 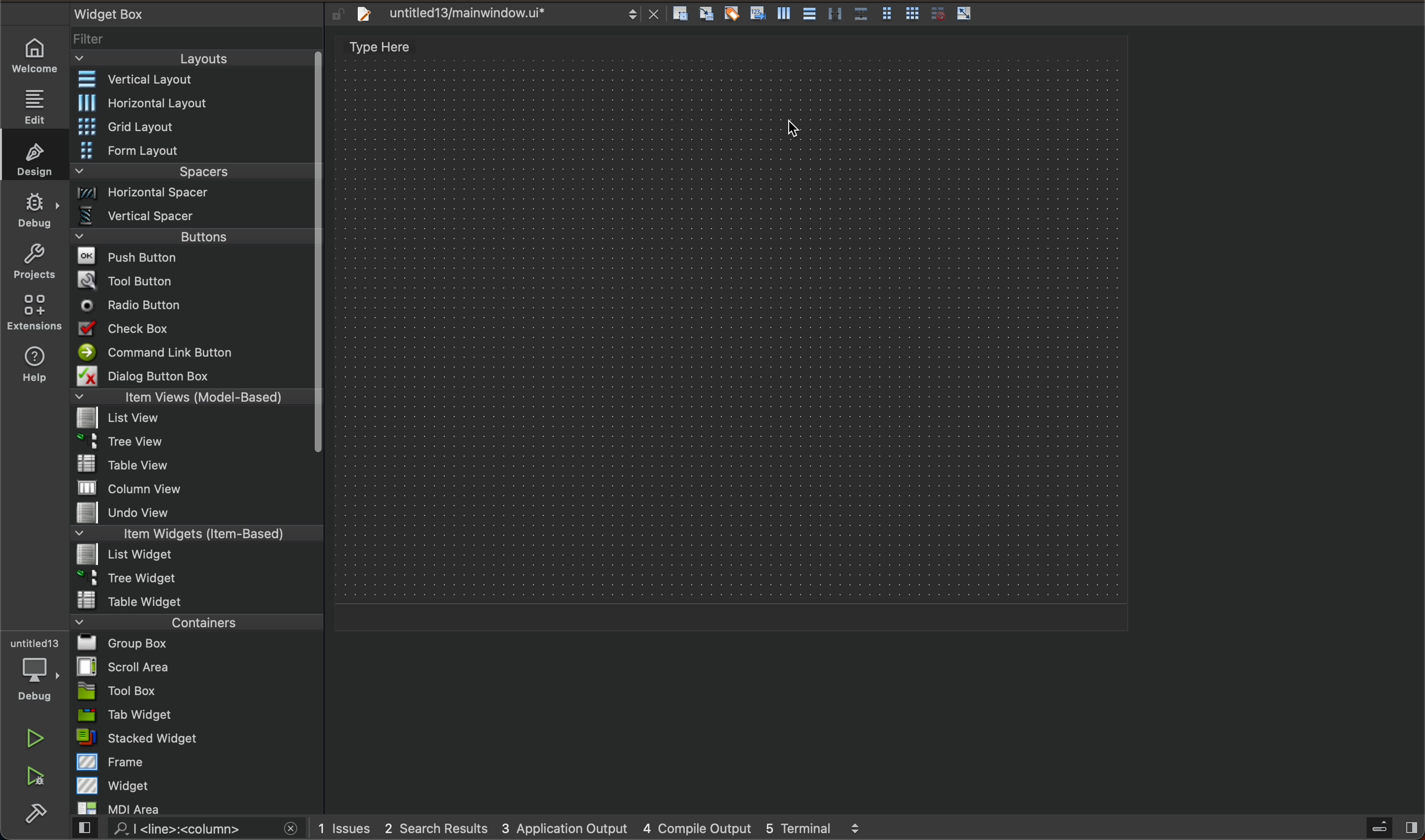 I want to click on stacked widget, so click(x=194, y=739).